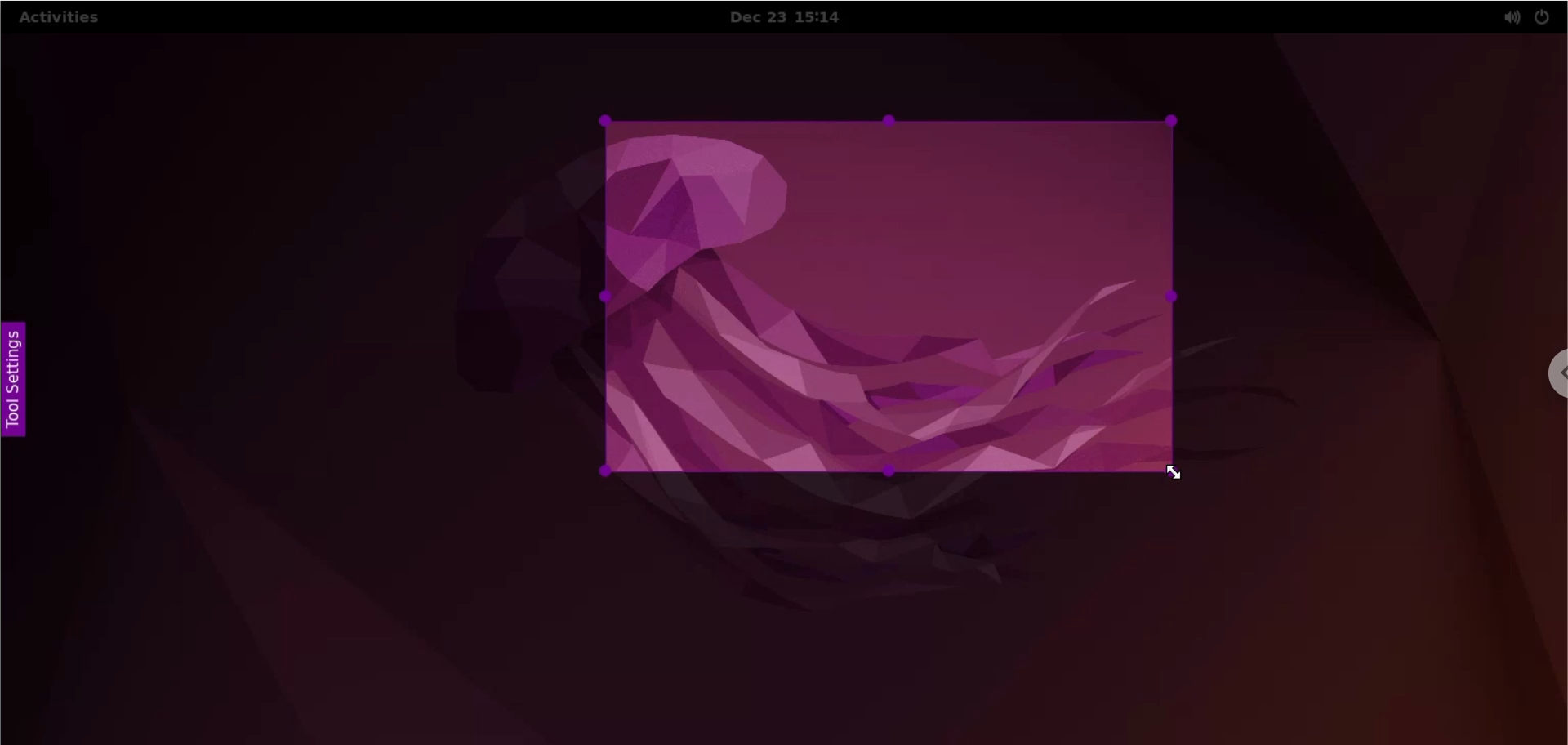 The image size is (1568, 745). Describe the element at coordinates (1545, 372) in the screenshot. I see `chrome options` at that location.